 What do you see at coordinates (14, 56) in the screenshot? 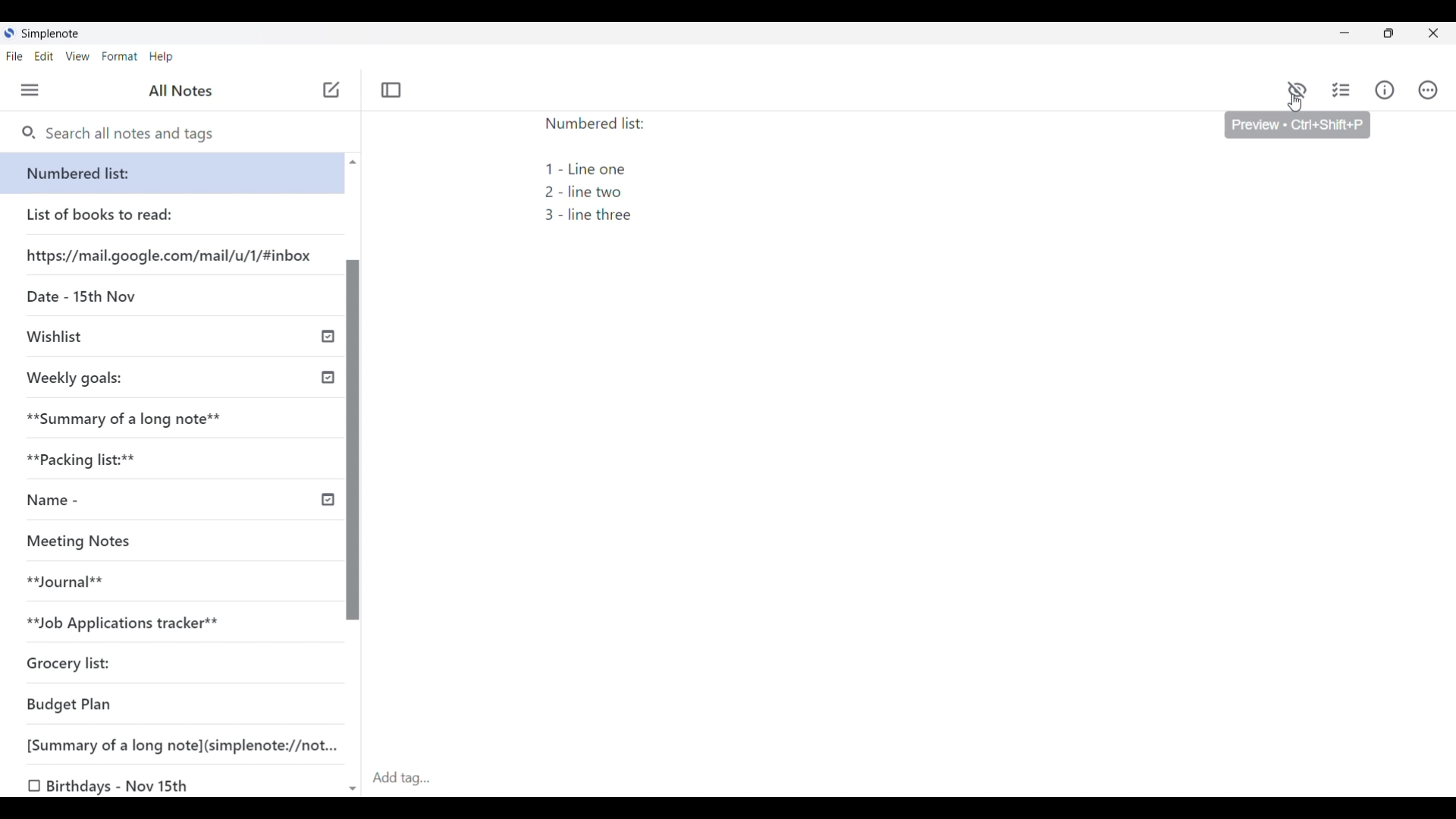
I see `File menu` at bounding box center [14, 56].